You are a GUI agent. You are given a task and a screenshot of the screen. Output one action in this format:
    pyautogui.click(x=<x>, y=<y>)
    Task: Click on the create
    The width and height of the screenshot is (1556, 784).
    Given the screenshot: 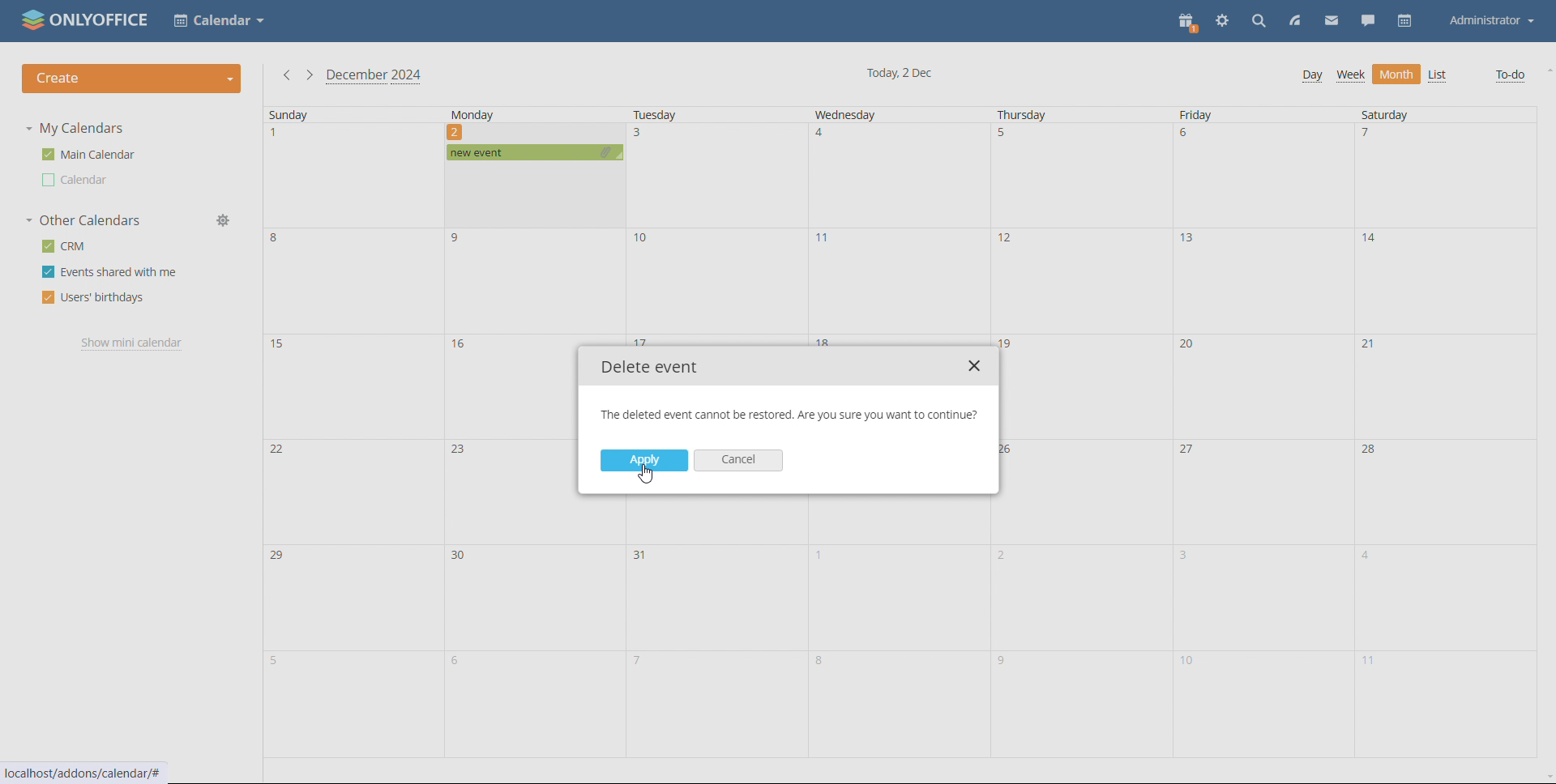 What is the action you would take?
    pyautogui.click(x=131, y=79)
    